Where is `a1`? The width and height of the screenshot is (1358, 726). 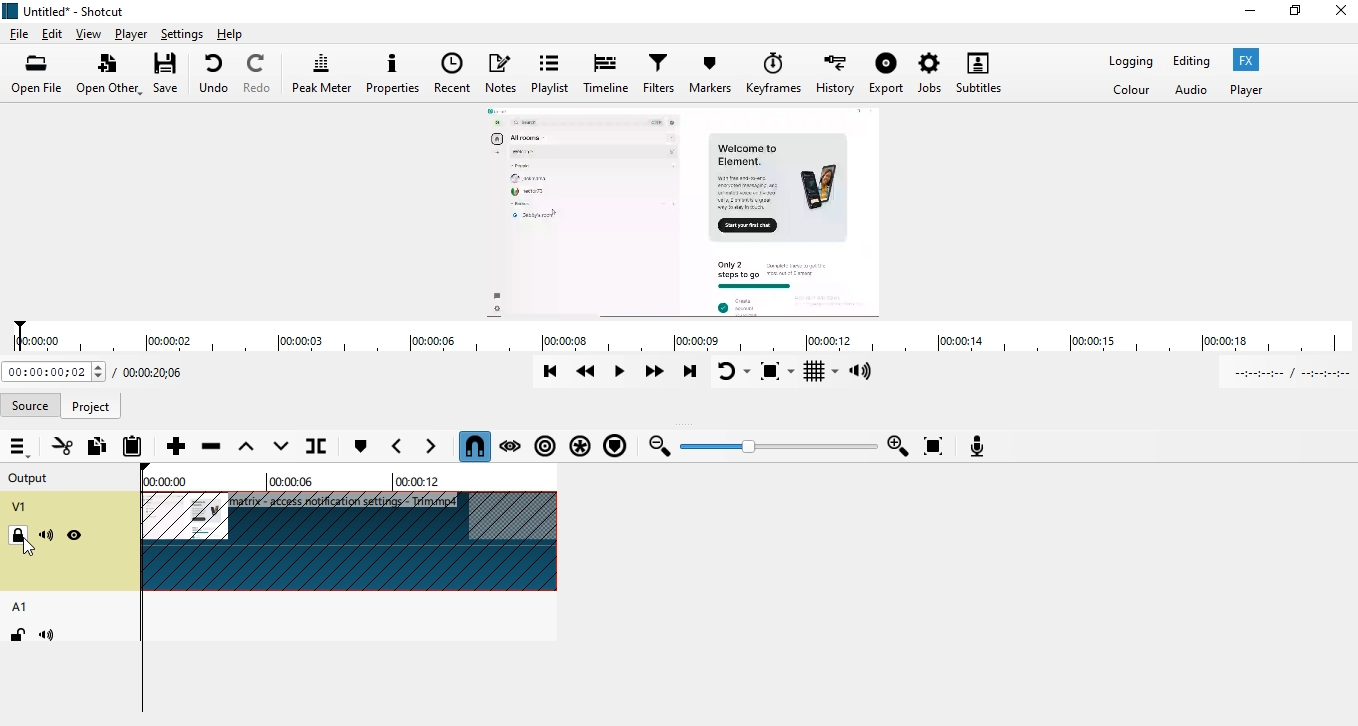 a1 is located at coordinates (21, 605).